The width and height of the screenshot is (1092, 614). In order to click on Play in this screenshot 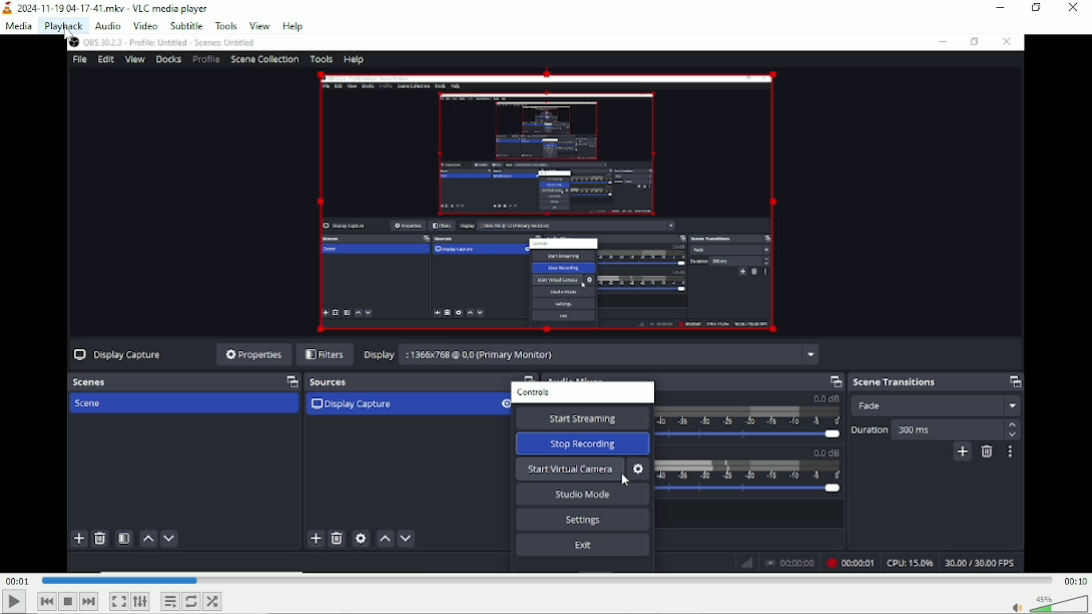, I will do `click(14, 602)`.